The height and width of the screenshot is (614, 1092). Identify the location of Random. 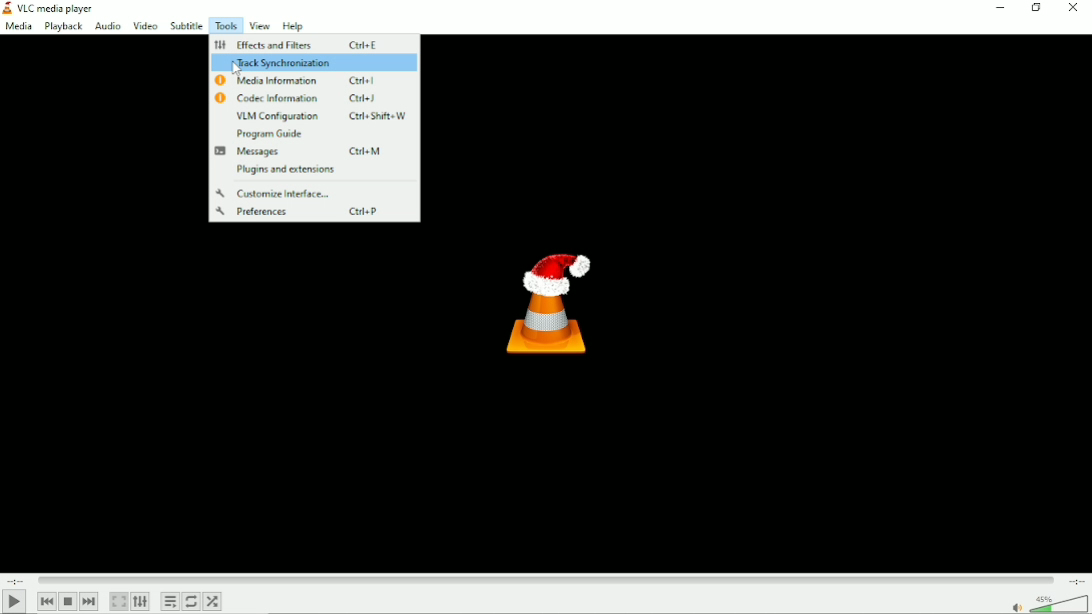
(213, 601).